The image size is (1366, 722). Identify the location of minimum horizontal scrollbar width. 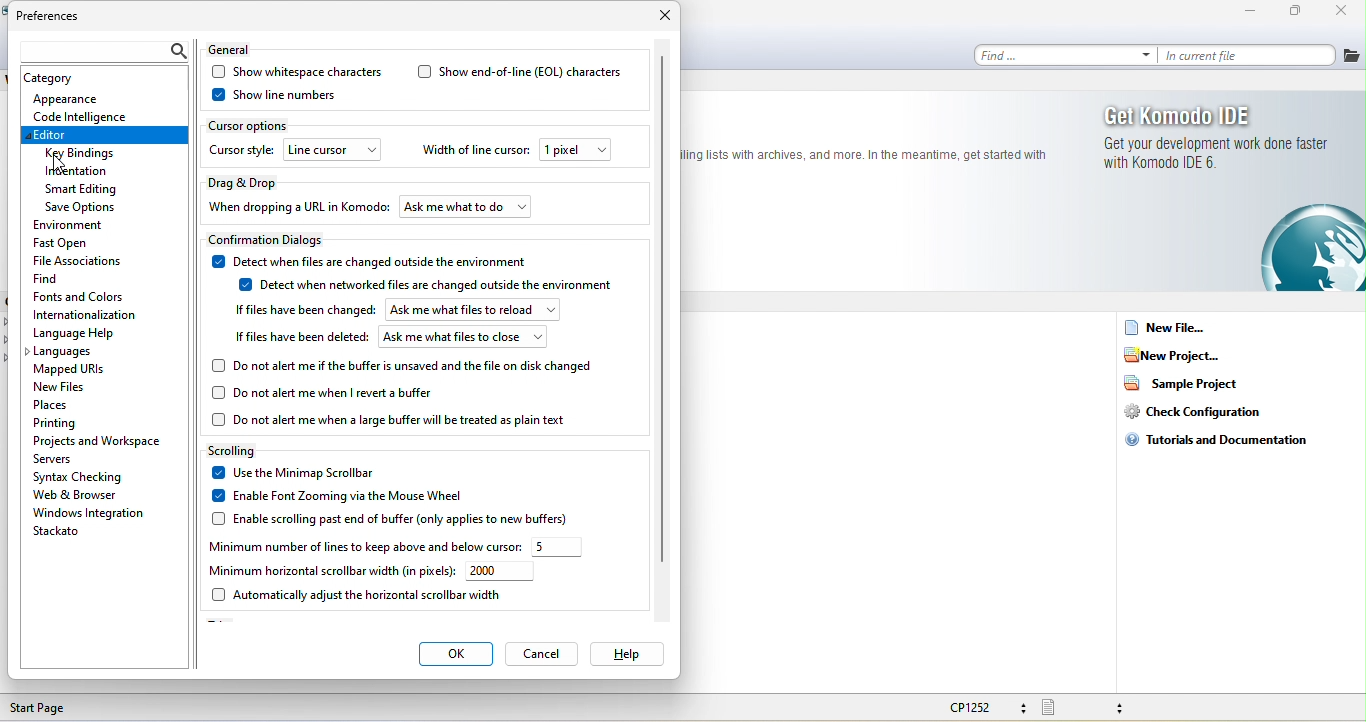
(328, 572).